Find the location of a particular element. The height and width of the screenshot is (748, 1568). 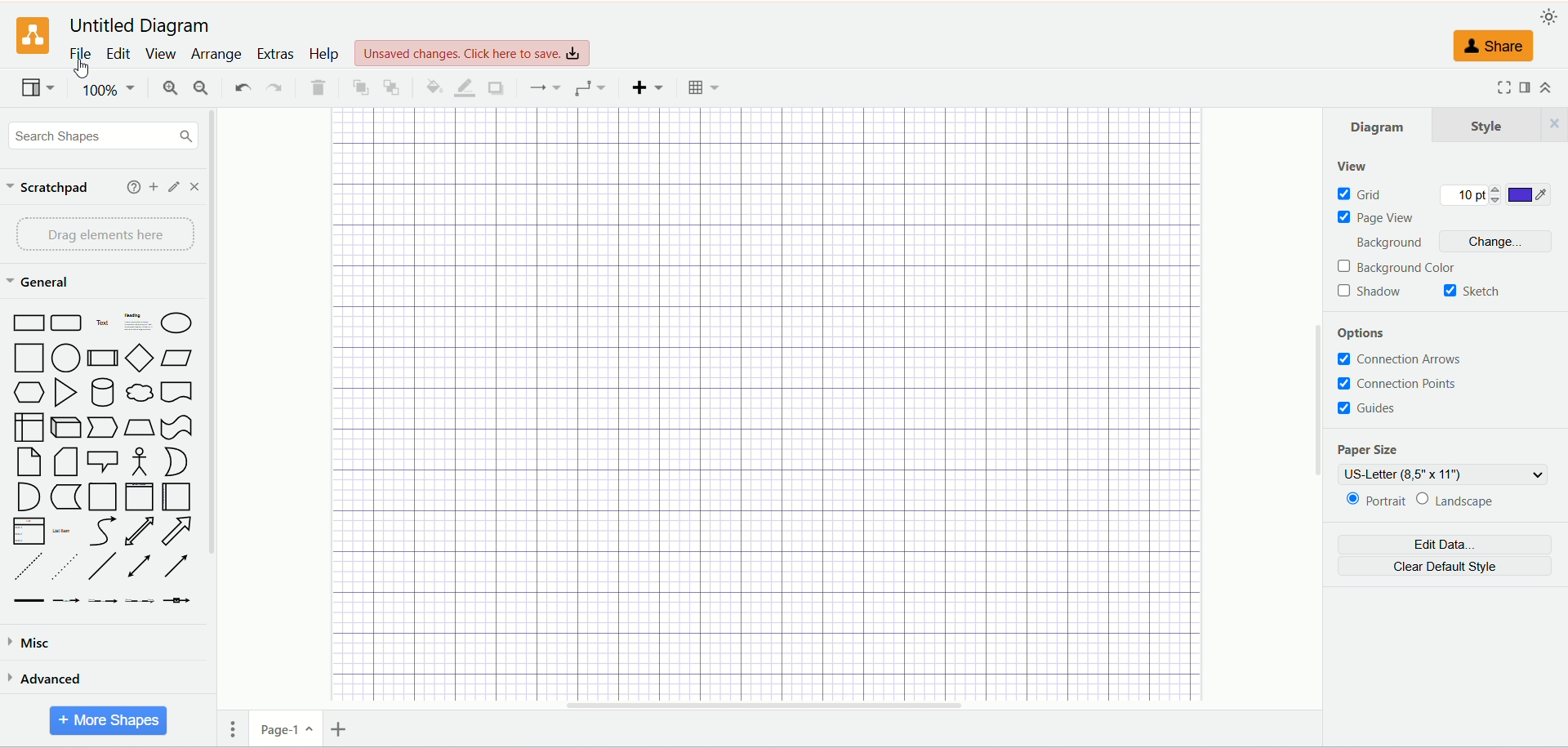

Item List is located at coordinates (28, 532).